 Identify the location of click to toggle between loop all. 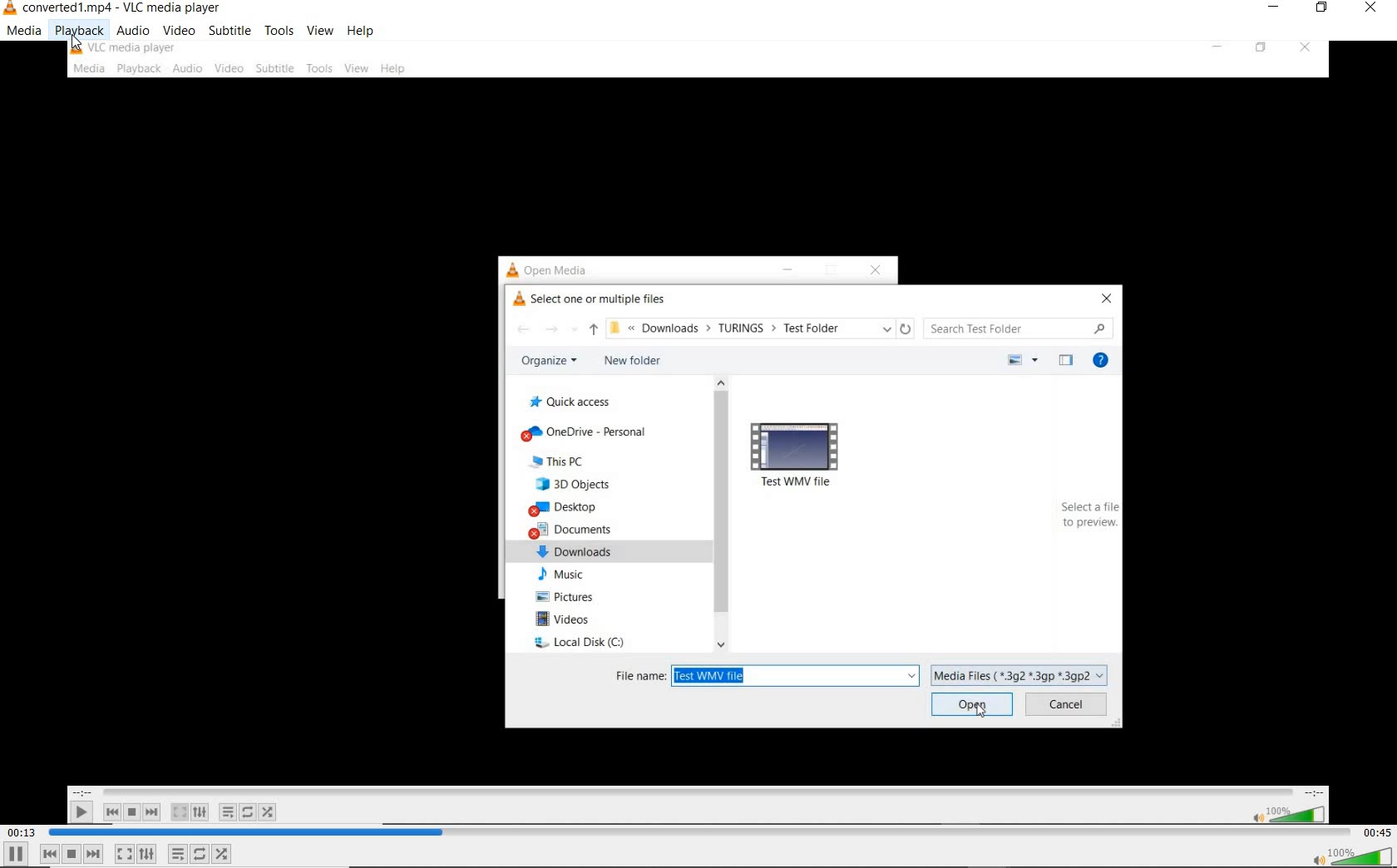
(200, 855).